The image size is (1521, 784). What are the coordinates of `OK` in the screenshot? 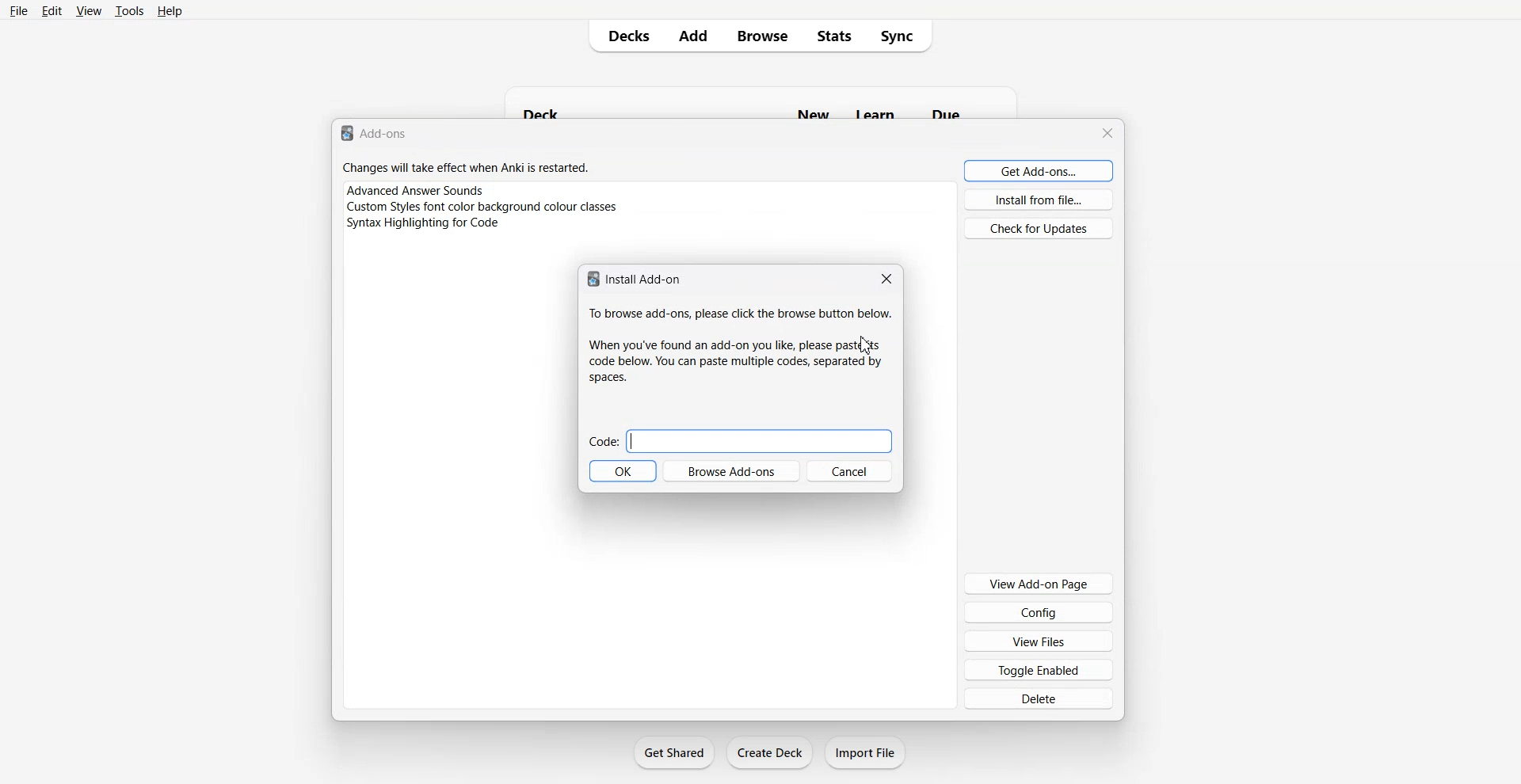 It's located at (622, 471).